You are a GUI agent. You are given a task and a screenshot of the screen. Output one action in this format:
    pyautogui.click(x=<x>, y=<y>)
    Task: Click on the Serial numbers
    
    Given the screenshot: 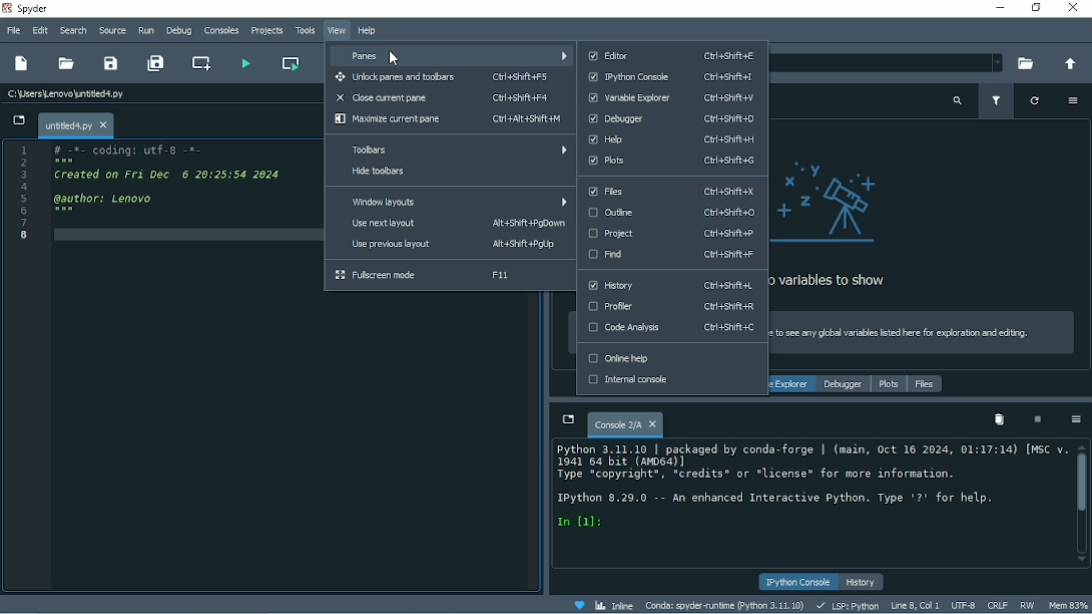 What is the action you would take?
    pyautogui.click(x=25, y=192)
    